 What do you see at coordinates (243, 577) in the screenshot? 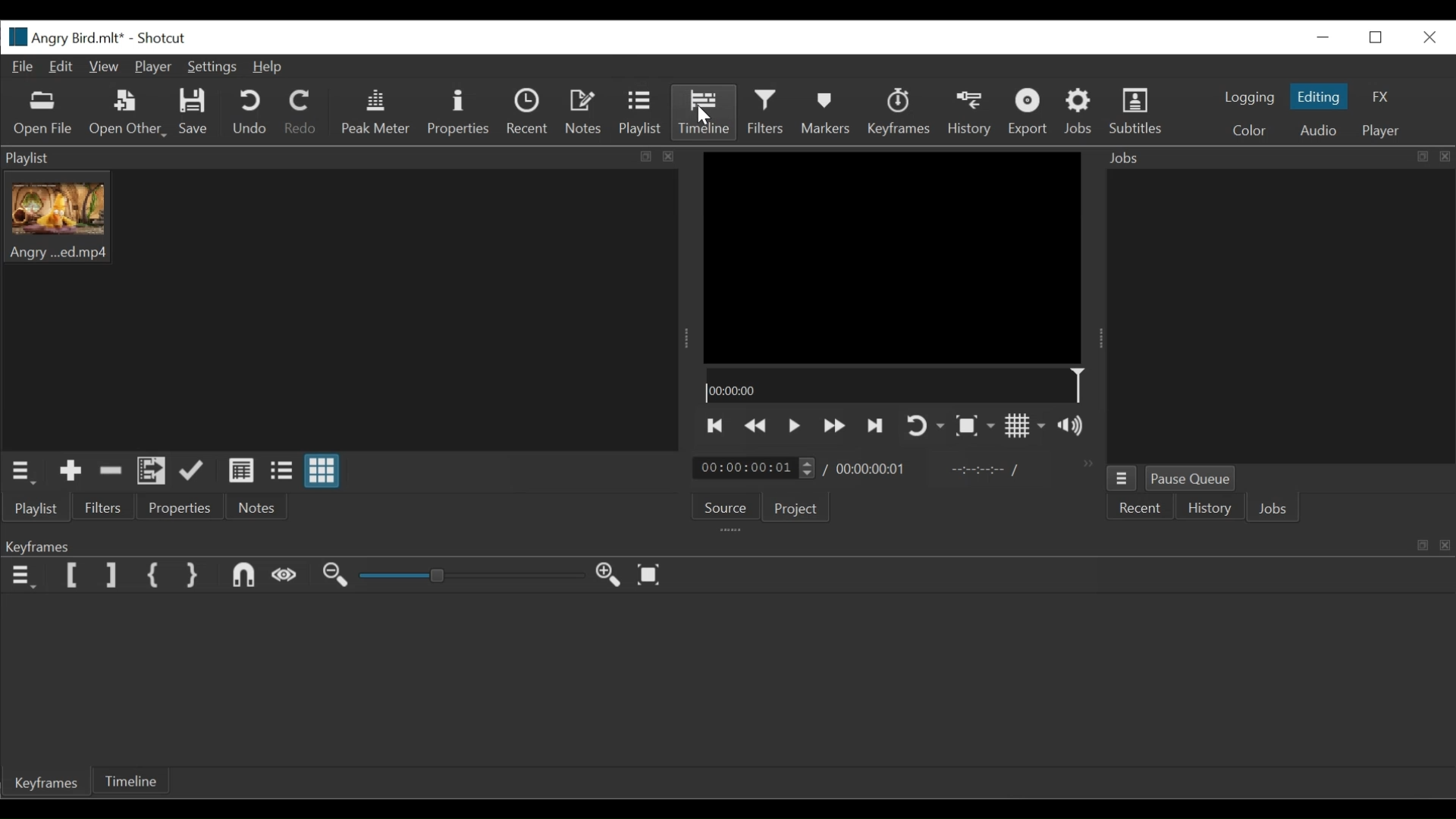
I see `Snap` at bounding box center [243, 577].